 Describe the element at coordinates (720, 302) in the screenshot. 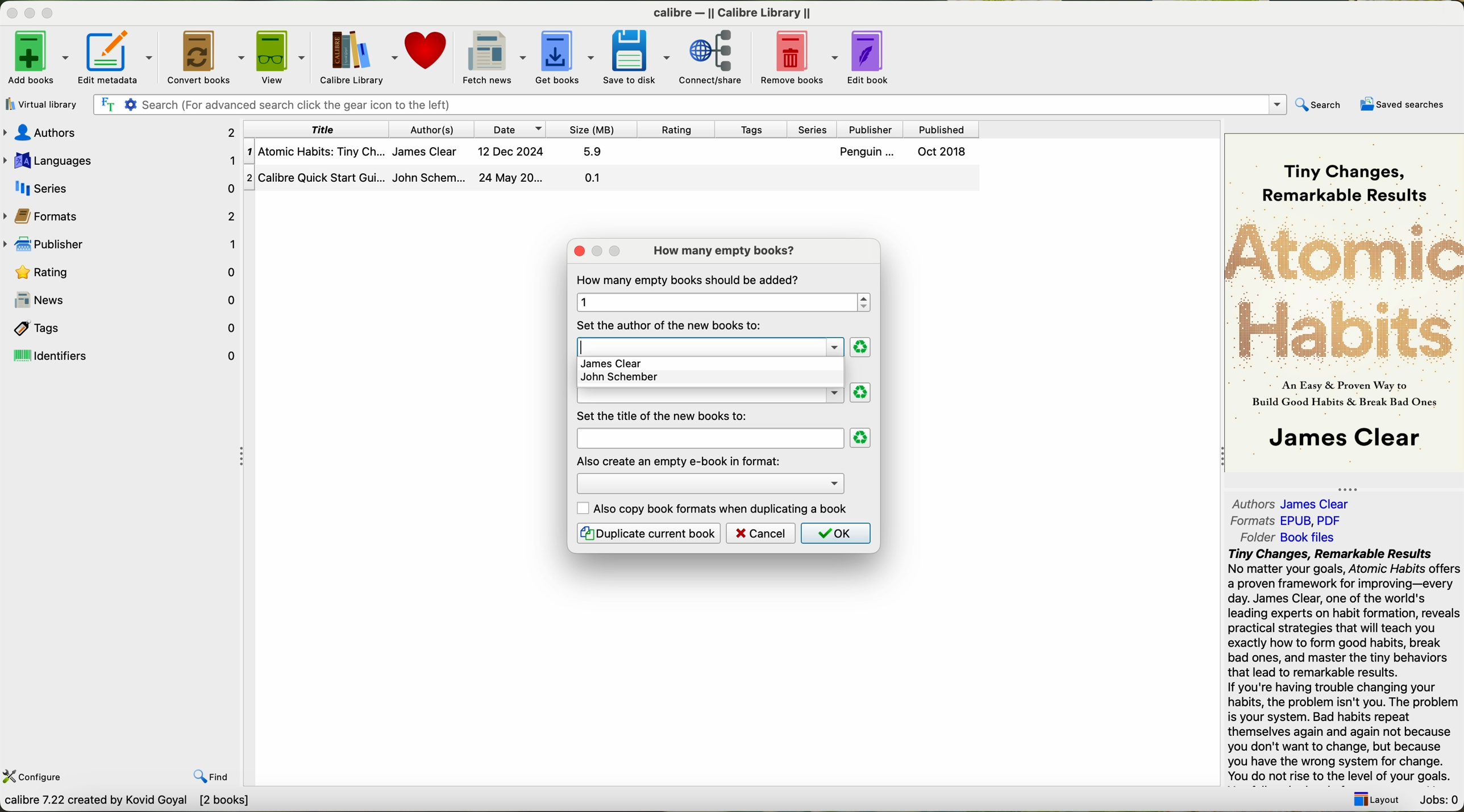

I see `1` at that location.